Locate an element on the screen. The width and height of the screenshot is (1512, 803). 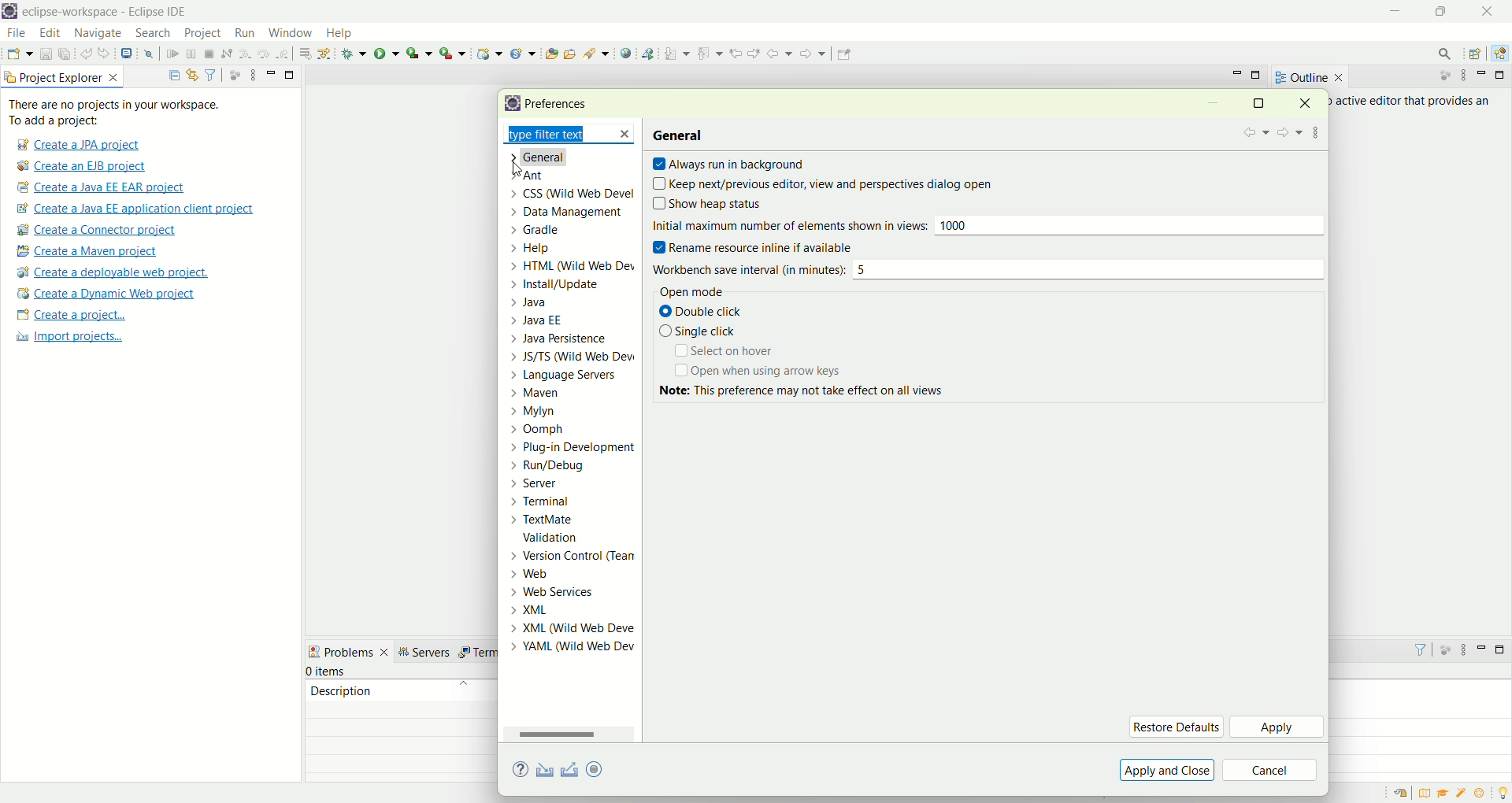
search is located at coordinates (1440, 54).